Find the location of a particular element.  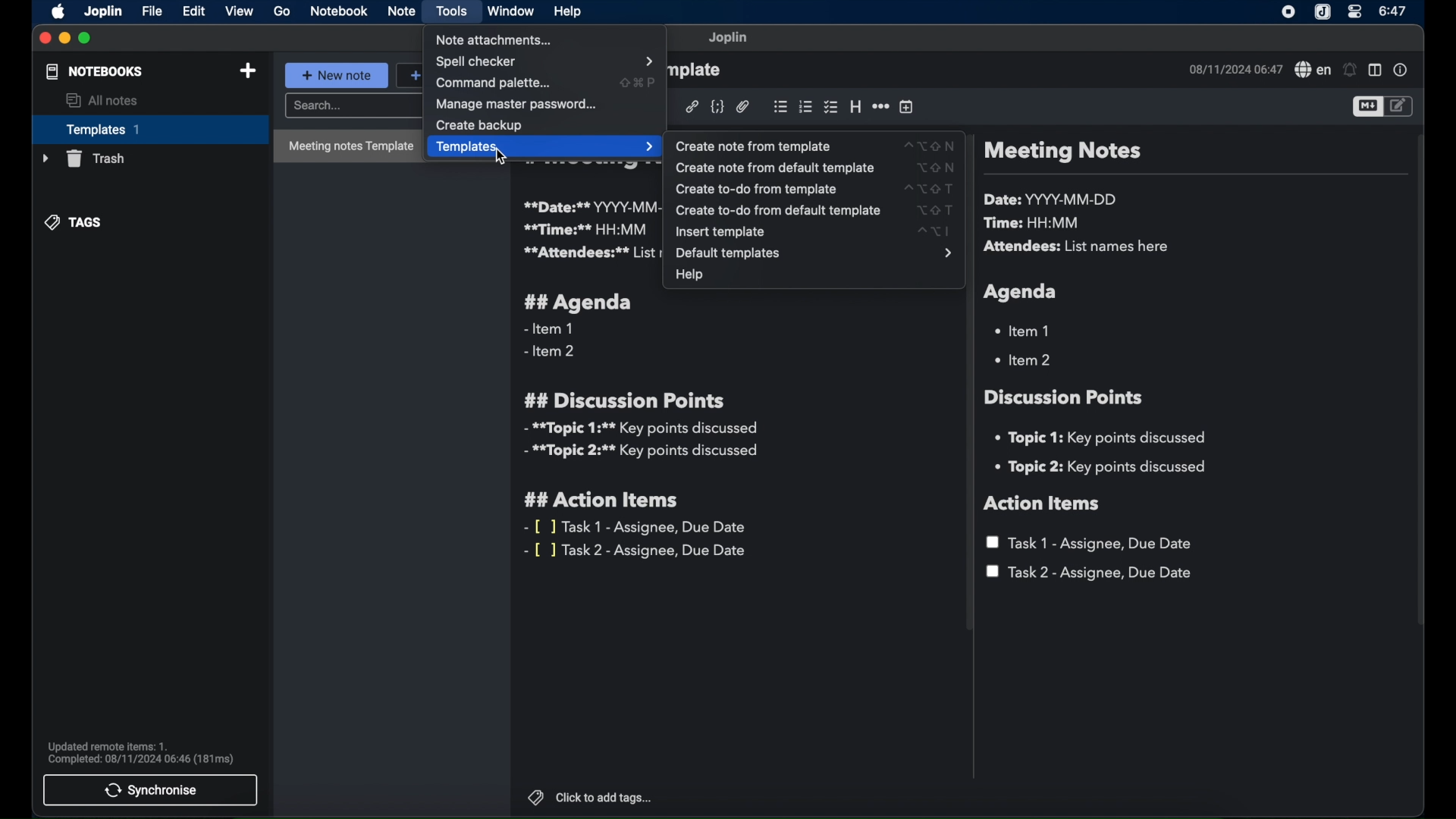

templates is located at coordinates (545, 147).